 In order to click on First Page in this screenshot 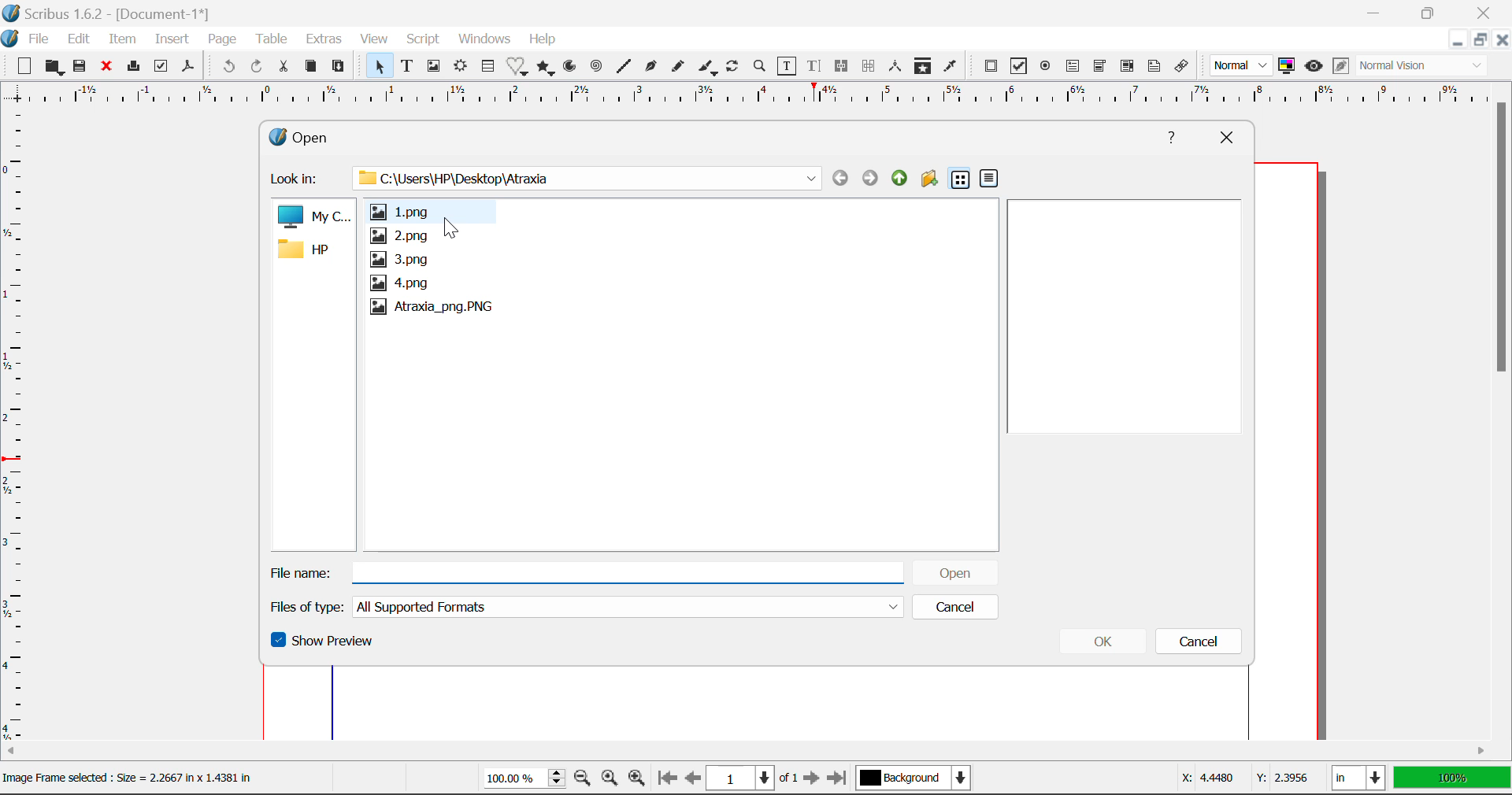, I will do `click(667, 778)`.